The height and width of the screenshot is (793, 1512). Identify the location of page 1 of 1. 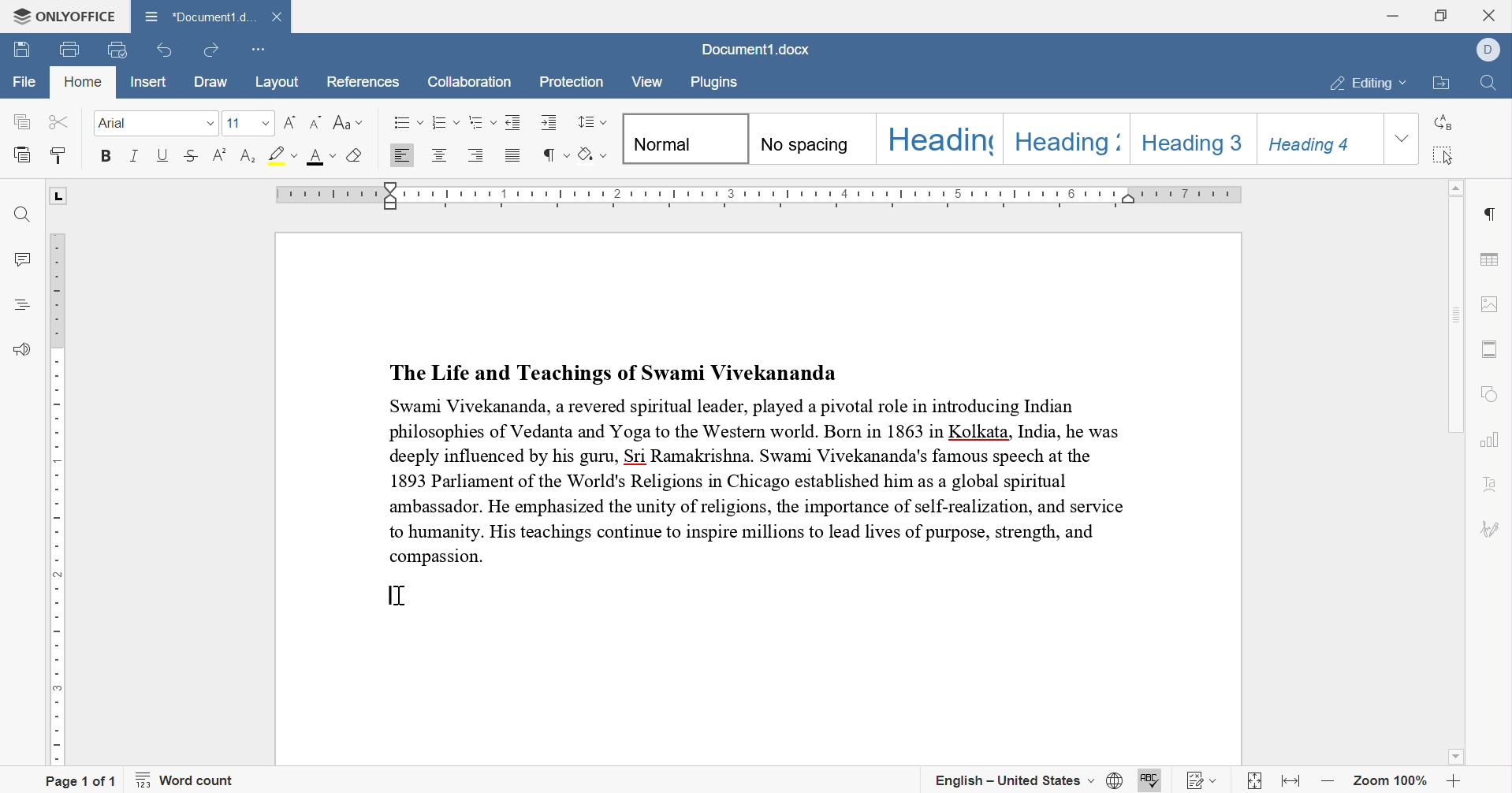
(81, 781).